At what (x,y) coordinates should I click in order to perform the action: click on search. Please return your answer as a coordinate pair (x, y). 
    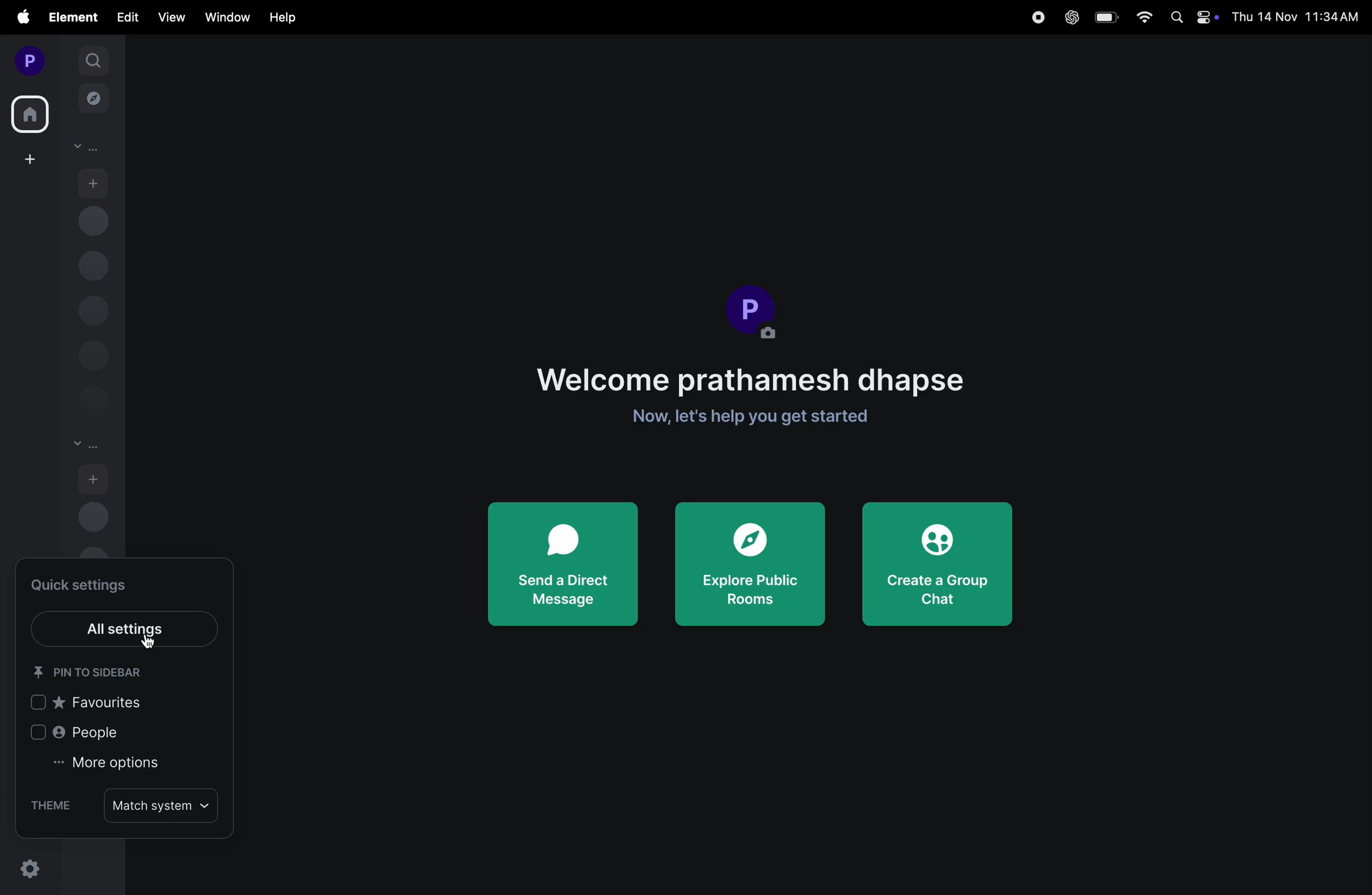
    Looking at the image, I should click on (93, 59).